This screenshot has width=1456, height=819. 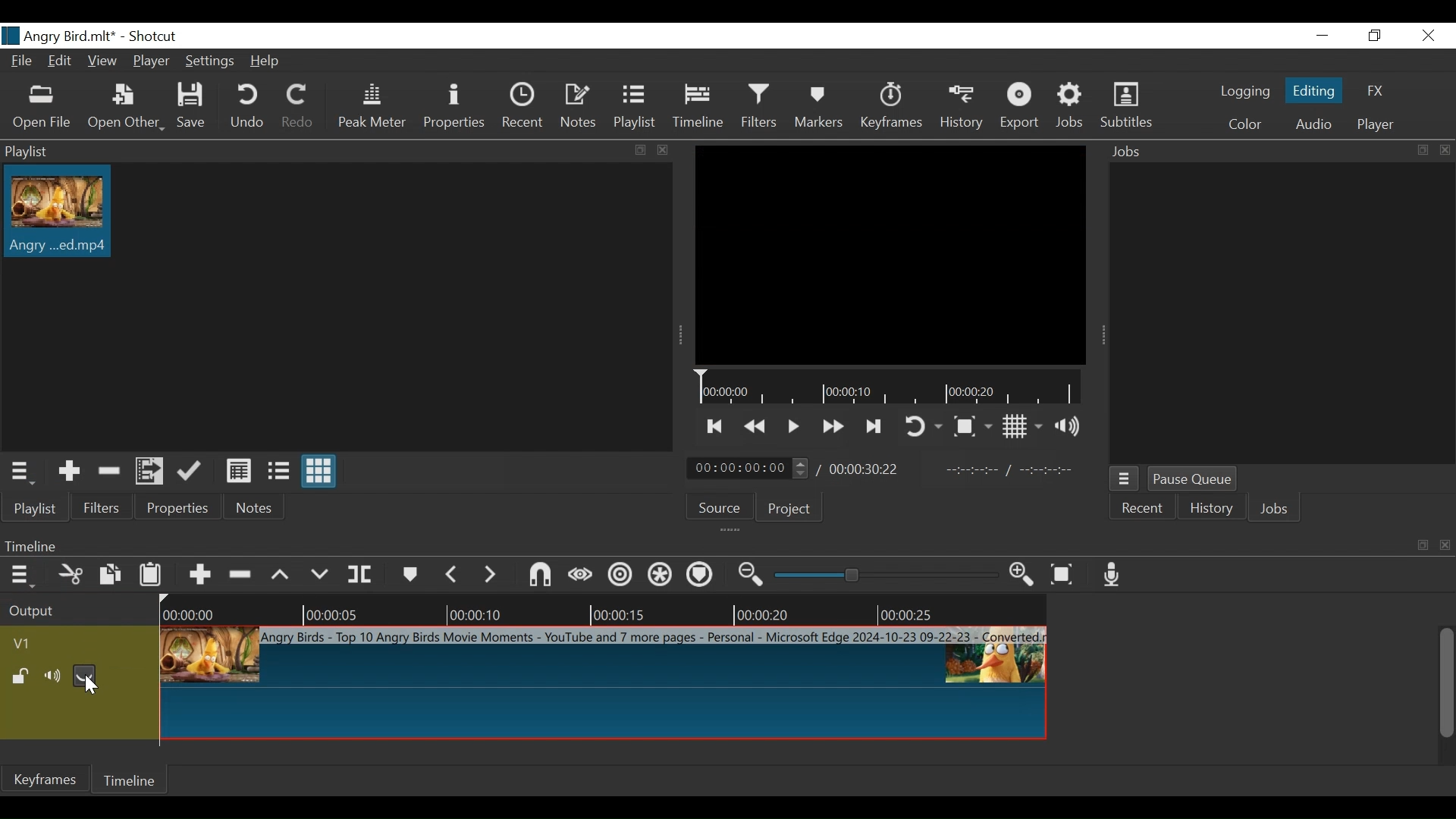 I want to click on View as files, so click(x=277, y=470).